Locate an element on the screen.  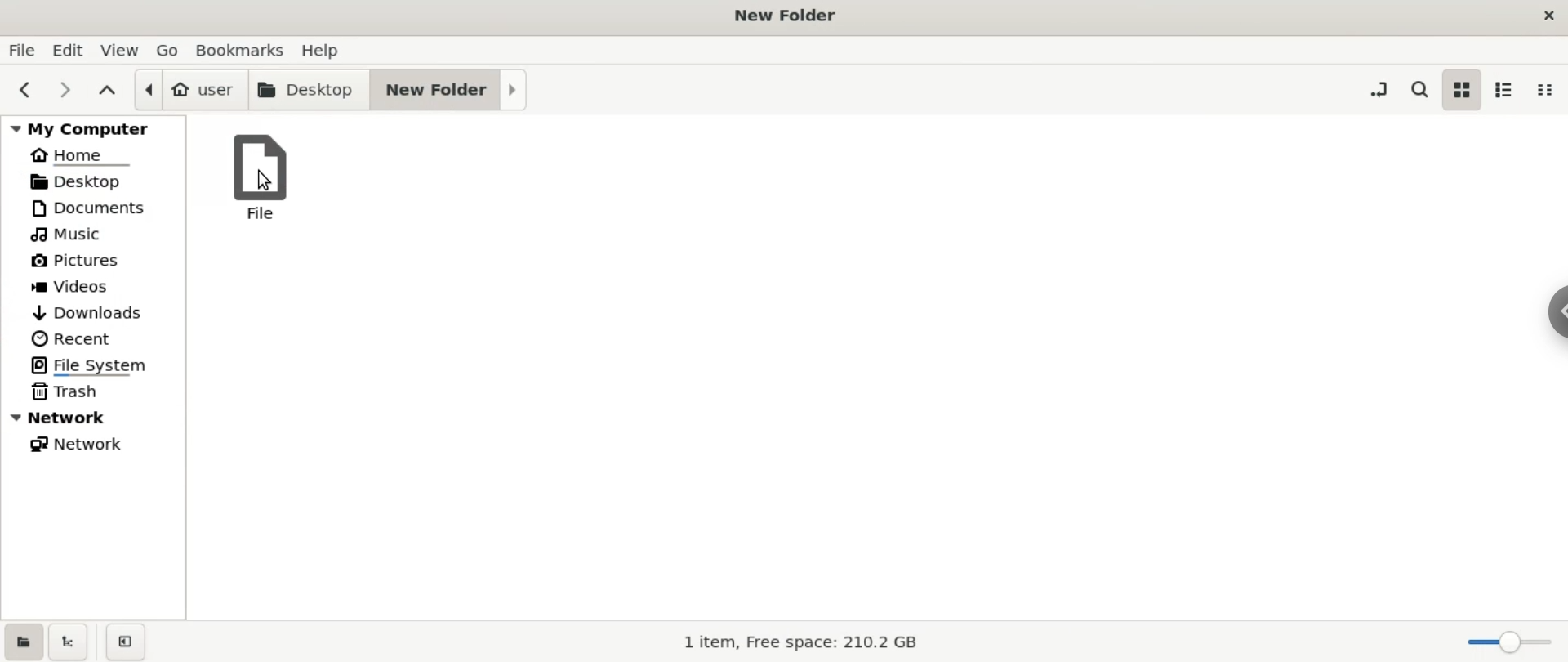
desktop is located at coordinates (310, 90).